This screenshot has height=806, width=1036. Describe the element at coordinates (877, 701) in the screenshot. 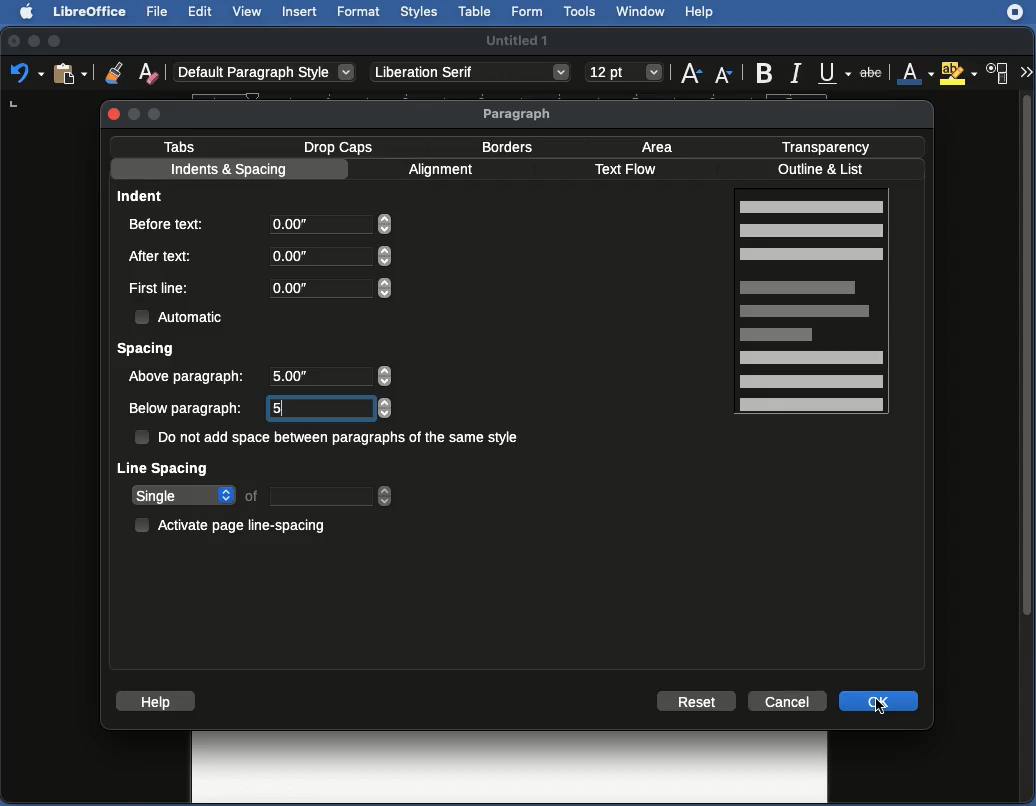

I see `ok` at that location.